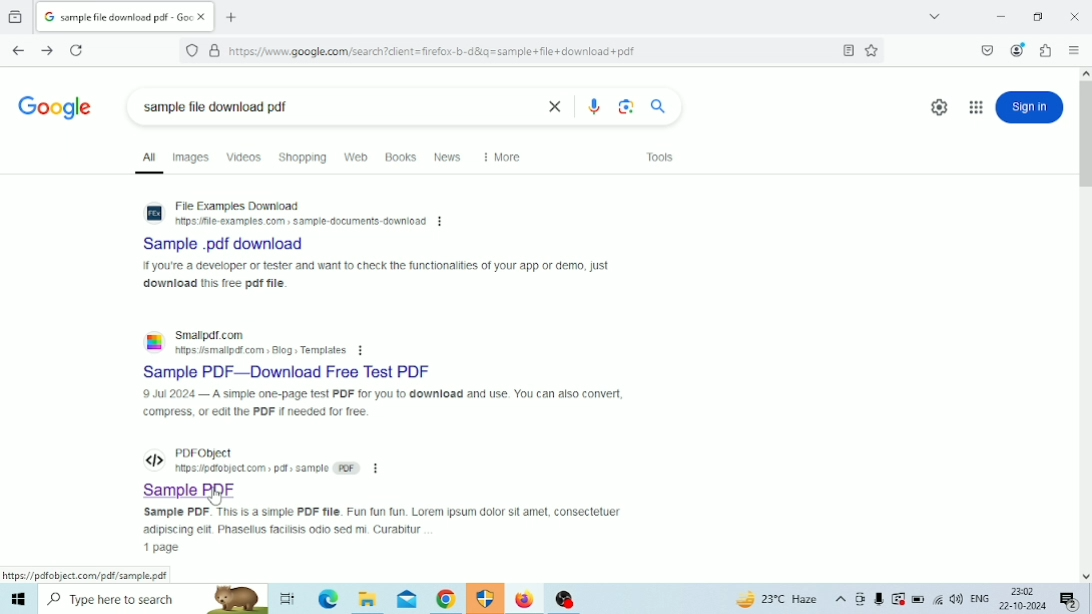  Describe the element at coordinates (1070, 601) in the screenshot. I see `Notifications` at that location.